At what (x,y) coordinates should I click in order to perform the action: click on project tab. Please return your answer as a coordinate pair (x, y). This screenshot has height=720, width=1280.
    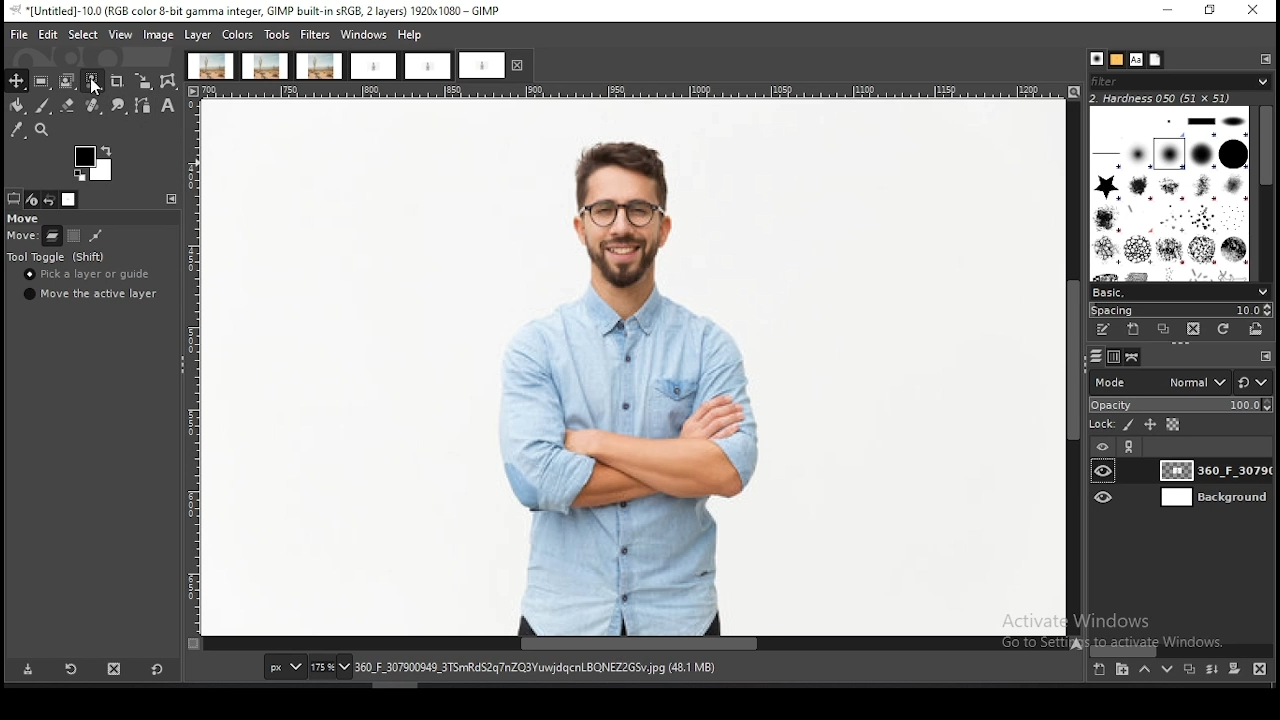
    Looking at the image, I should click on (210, 66).